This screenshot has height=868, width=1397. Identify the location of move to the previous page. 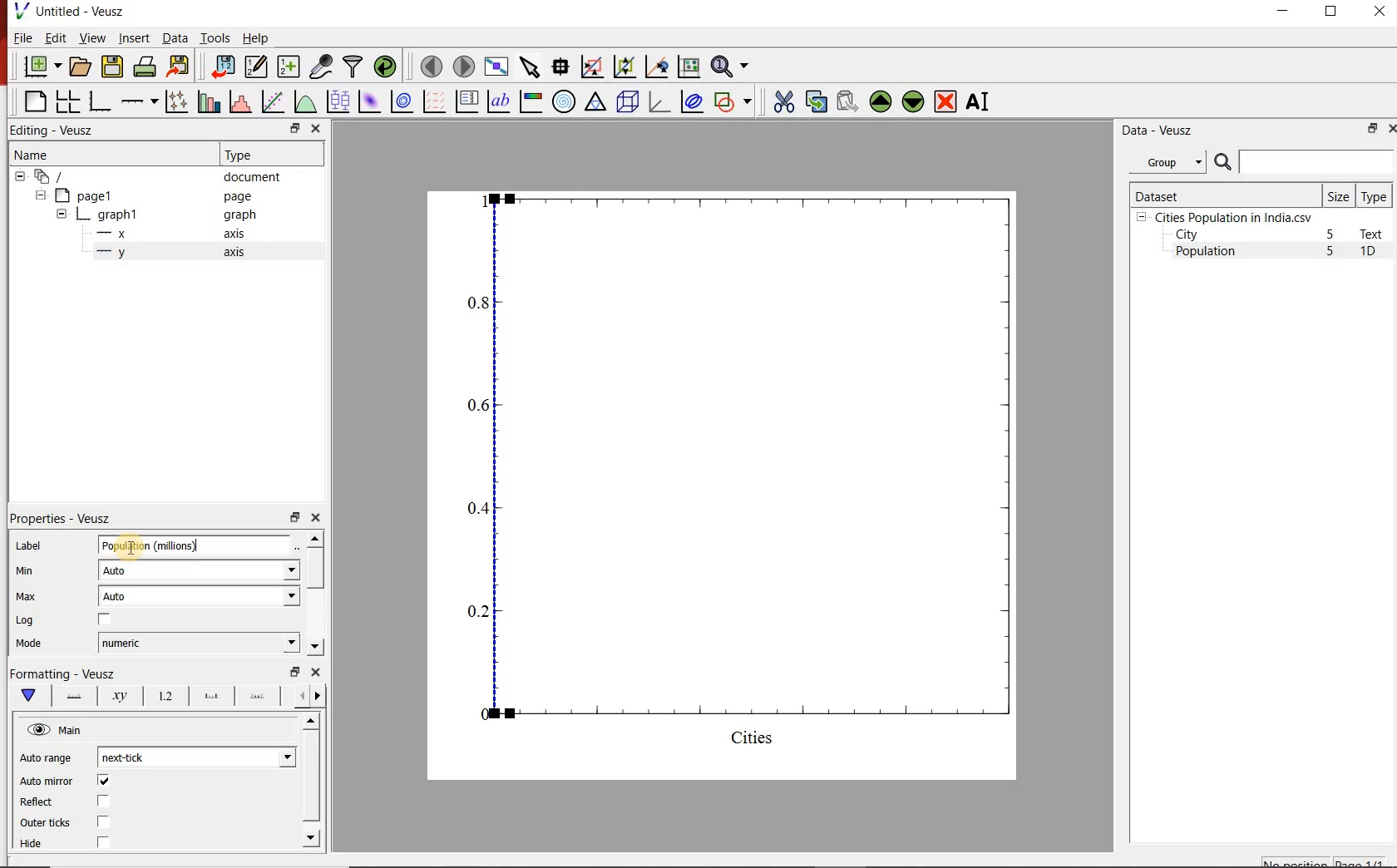
(429, 65).